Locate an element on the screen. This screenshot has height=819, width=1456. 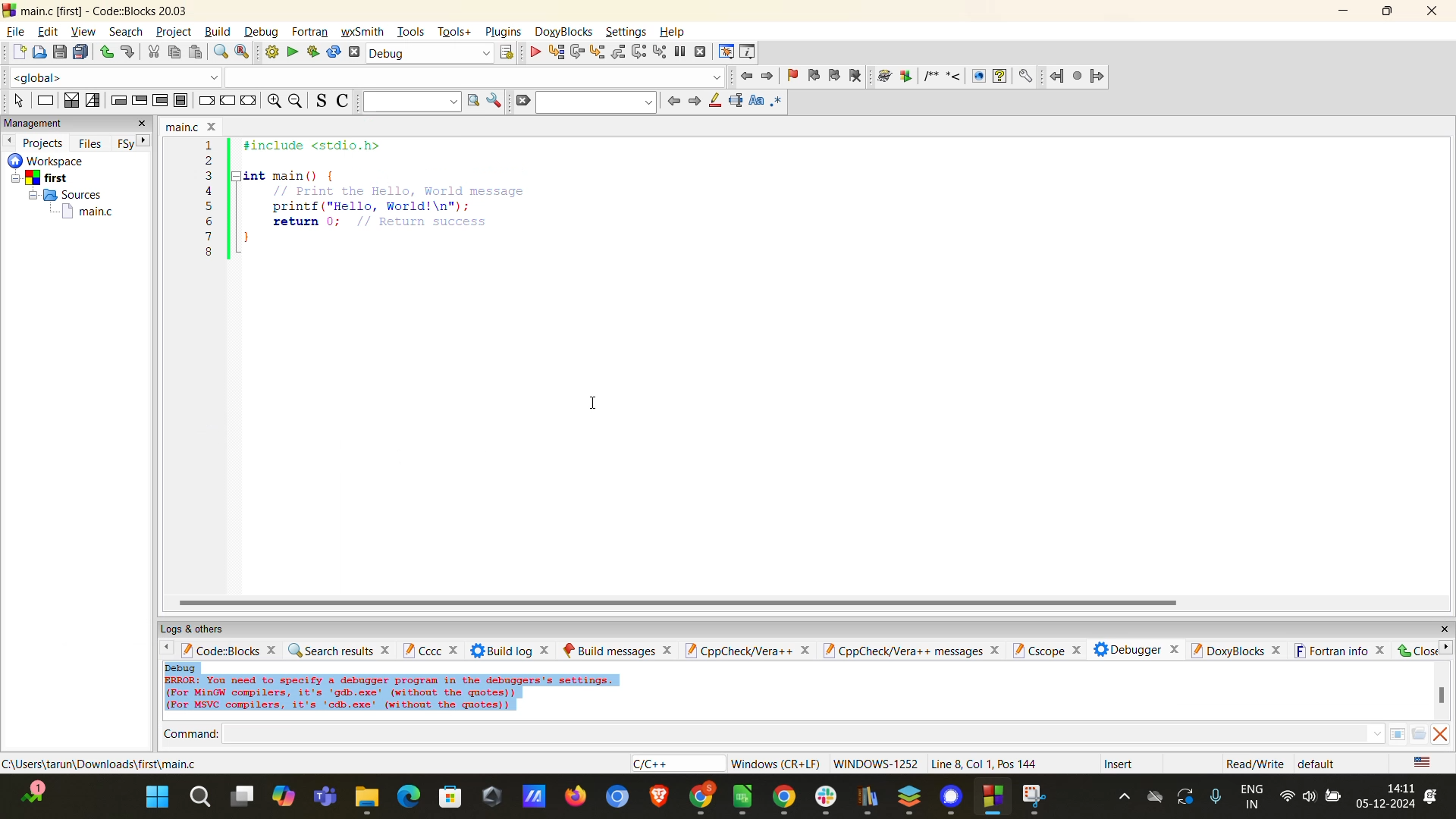
logs and others is located at coordinates (199, 629).